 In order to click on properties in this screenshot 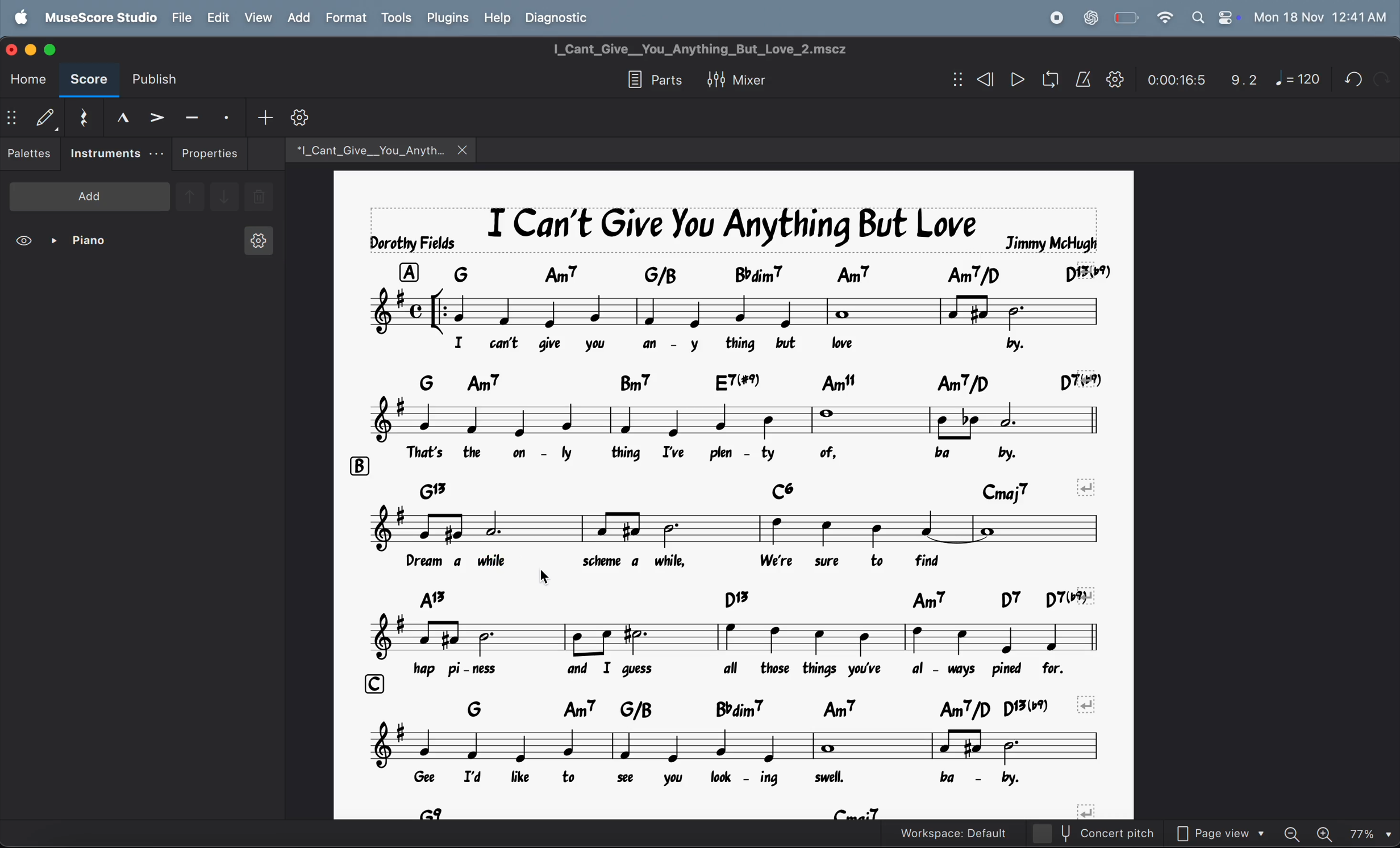, I will do `click(210, 152)`.